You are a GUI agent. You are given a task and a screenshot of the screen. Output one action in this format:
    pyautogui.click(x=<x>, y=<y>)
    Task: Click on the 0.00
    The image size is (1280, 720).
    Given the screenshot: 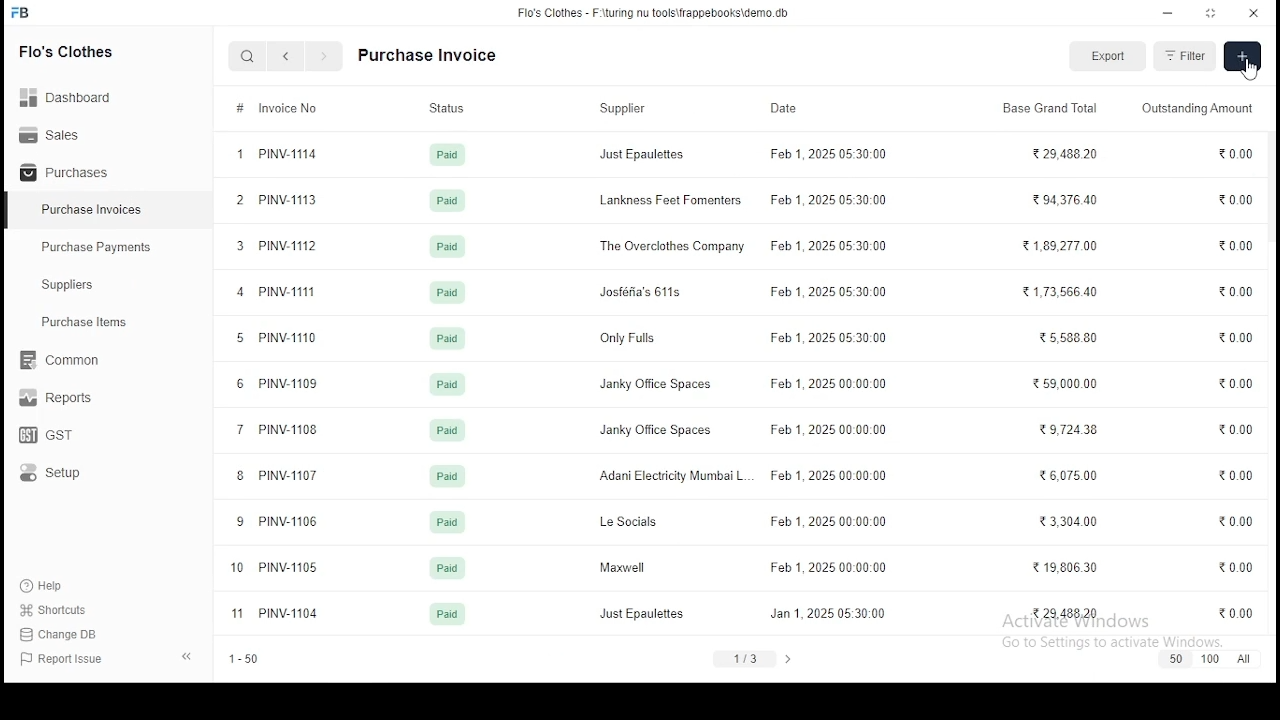 What is the action you would take?
    pyautogui.click(x=1234, y=338)
    